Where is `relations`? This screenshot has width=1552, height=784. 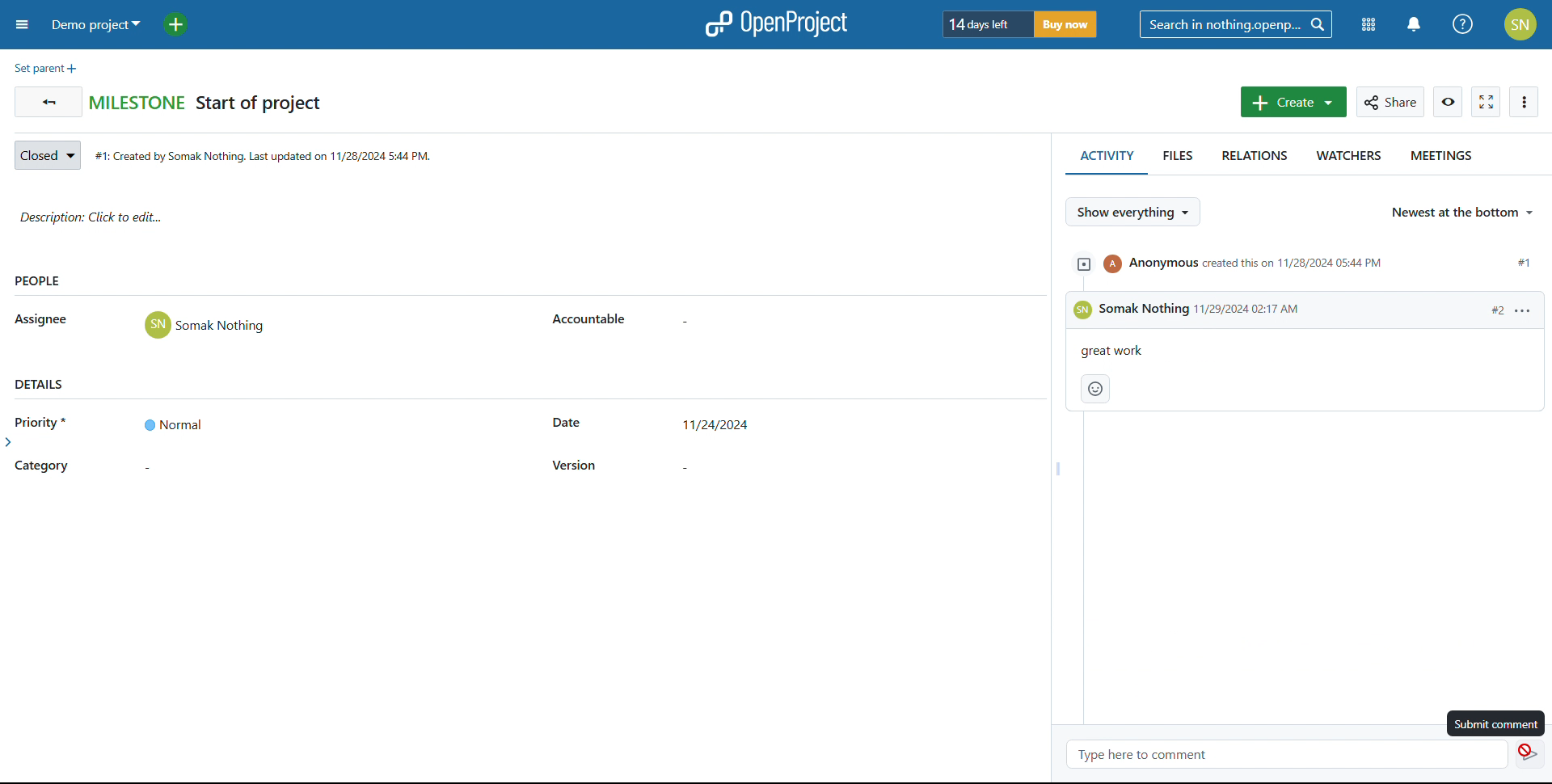
relations is located at coordinates (1249, 160).